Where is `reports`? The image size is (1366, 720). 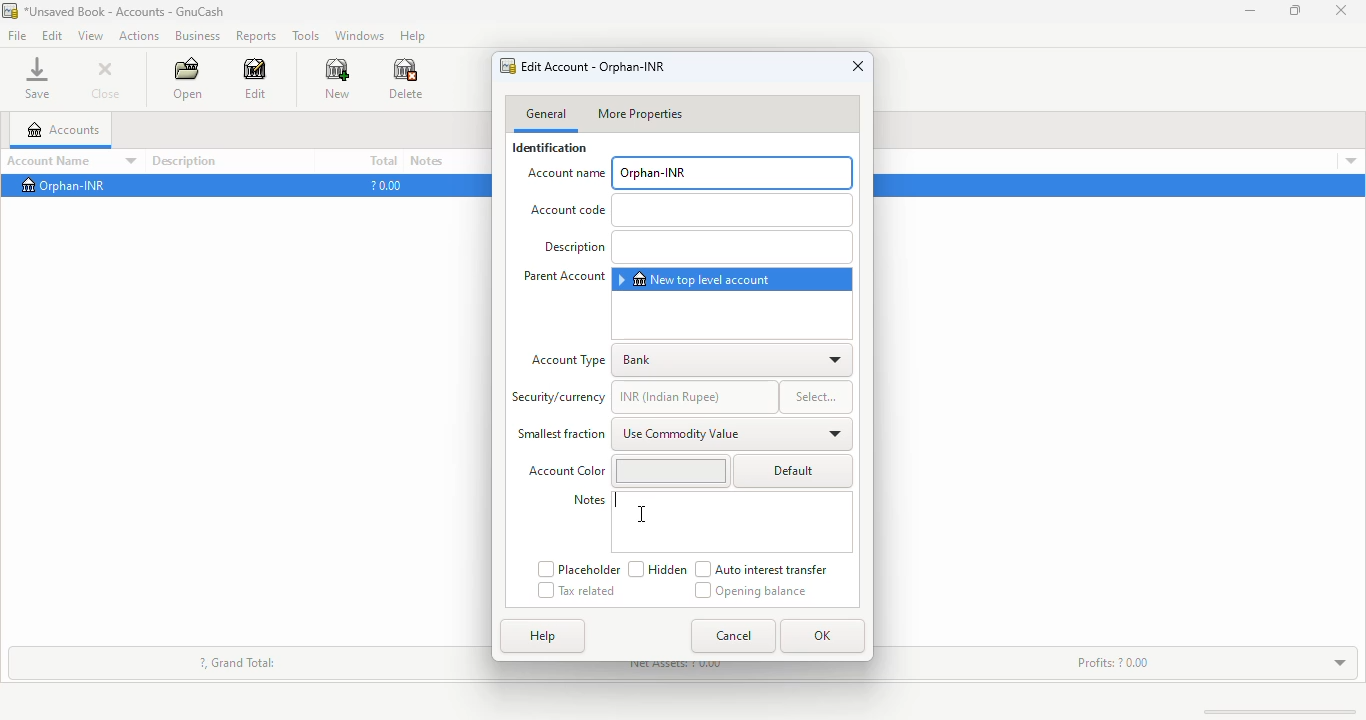 reports is located at coordinates (255, 36).